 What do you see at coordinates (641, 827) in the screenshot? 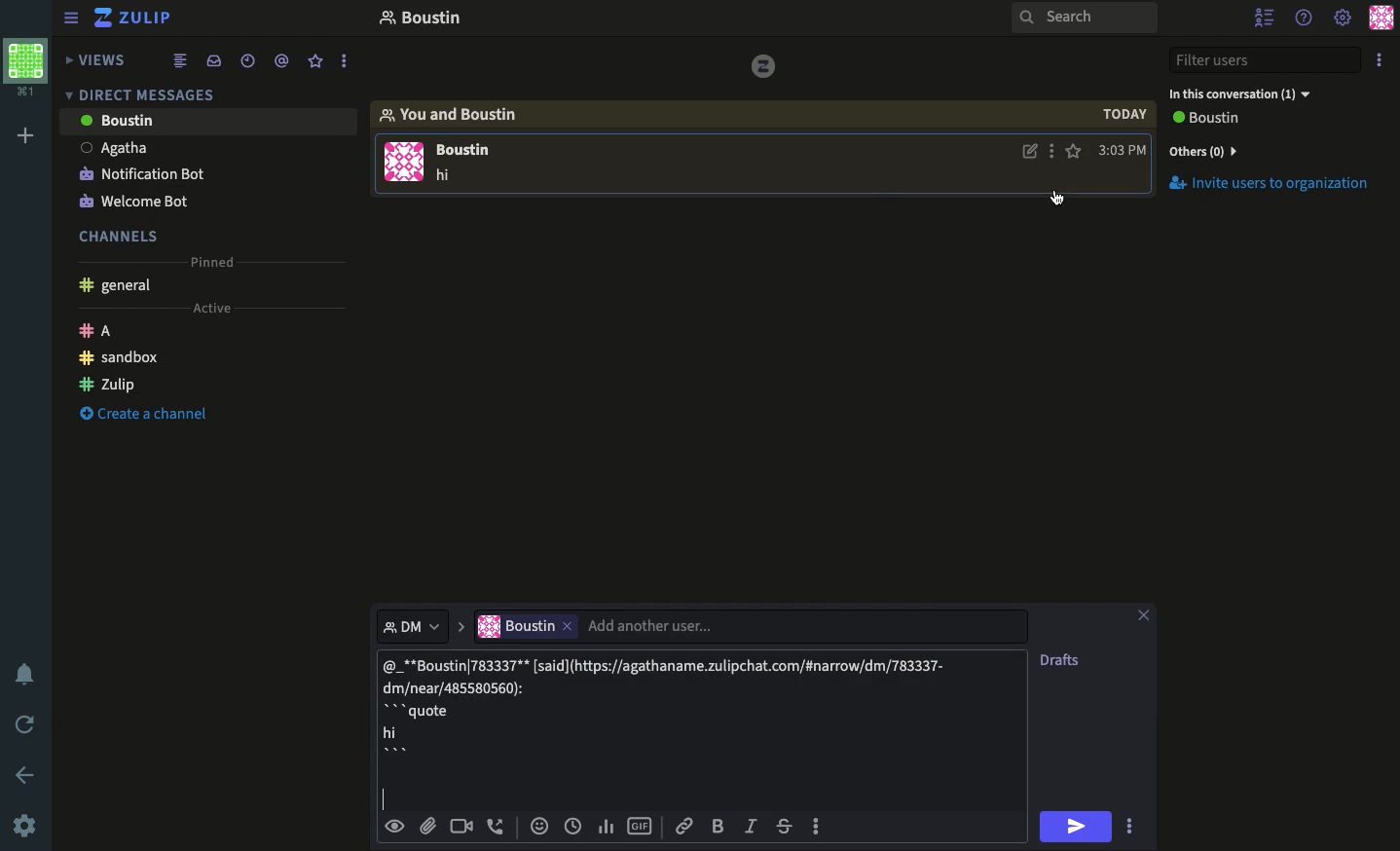
I see `Gif` at bounding box center [641, 827].